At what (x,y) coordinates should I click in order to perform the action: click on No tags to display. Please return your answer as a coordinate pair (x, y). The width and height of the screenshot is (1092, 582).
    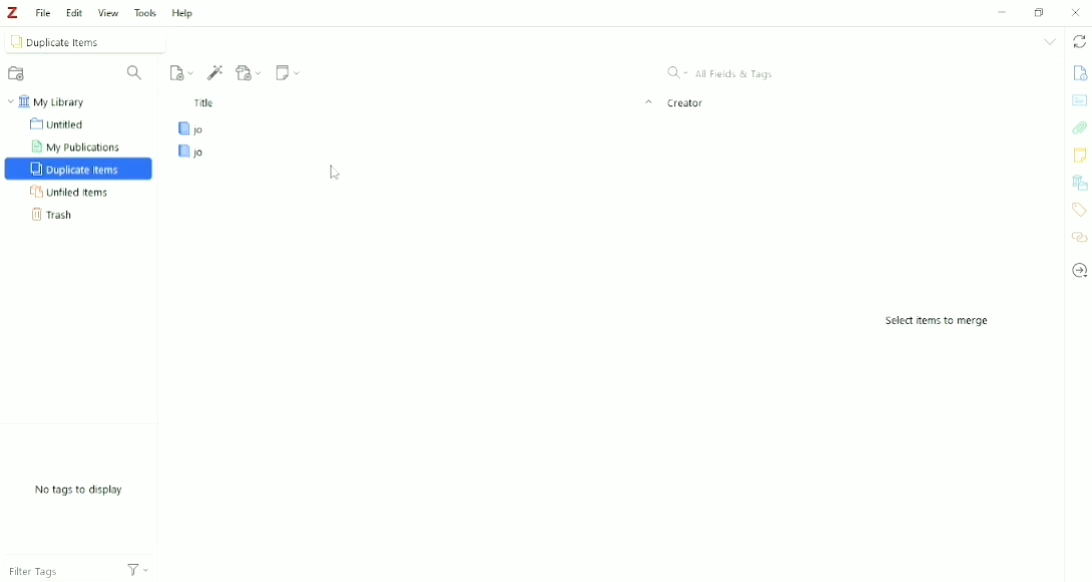
    Looking at the image, I should click on (78, 491).